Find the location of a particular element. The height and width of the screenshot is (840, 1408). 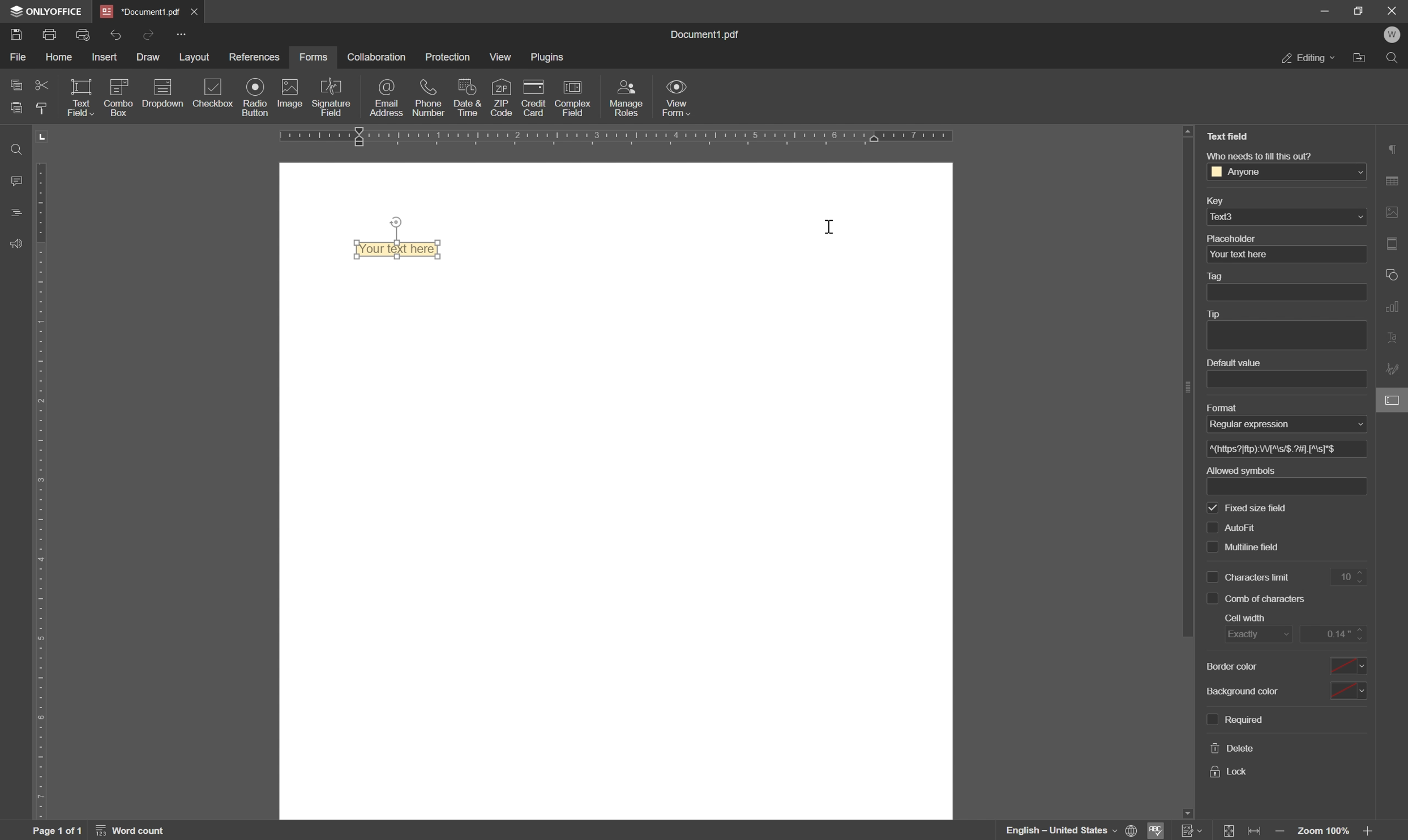

zoom 100% is located at coordinates (1325, 832).